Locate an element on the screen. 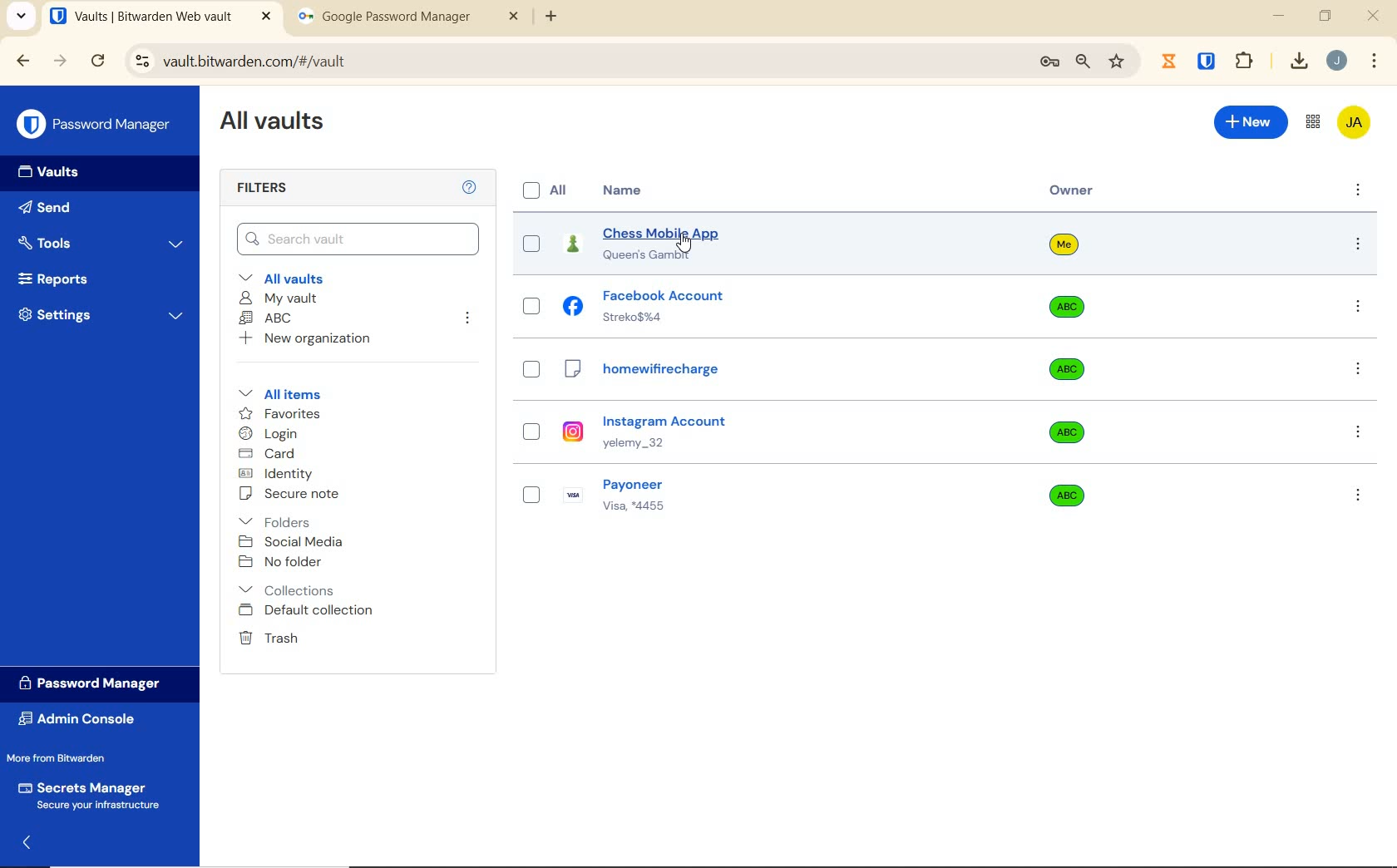 This screenshot has height=868, width=1397. check box is located at coordinates (535, 367).